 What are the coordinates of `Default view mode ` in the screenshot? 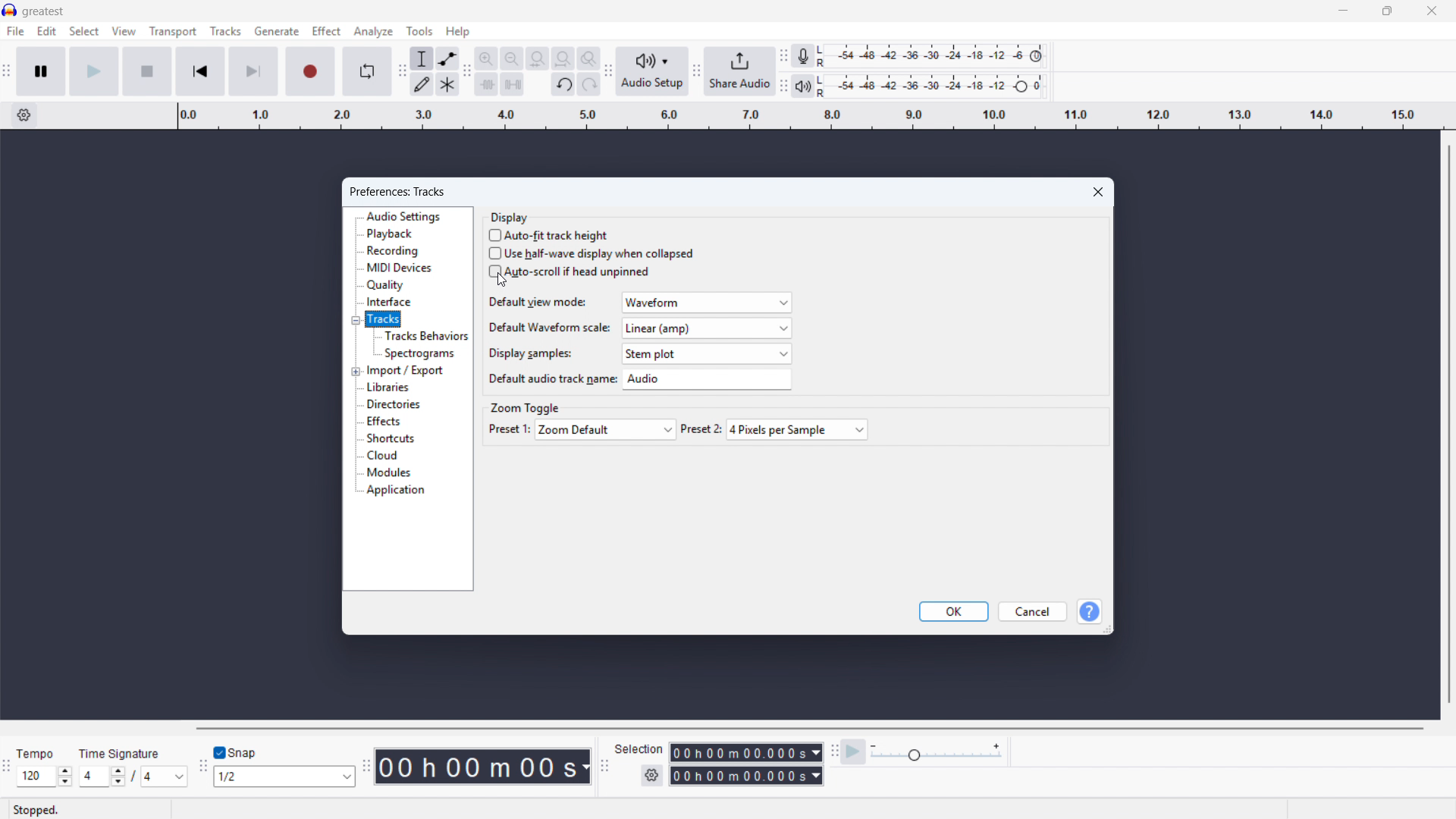 It's located at (708, 303).